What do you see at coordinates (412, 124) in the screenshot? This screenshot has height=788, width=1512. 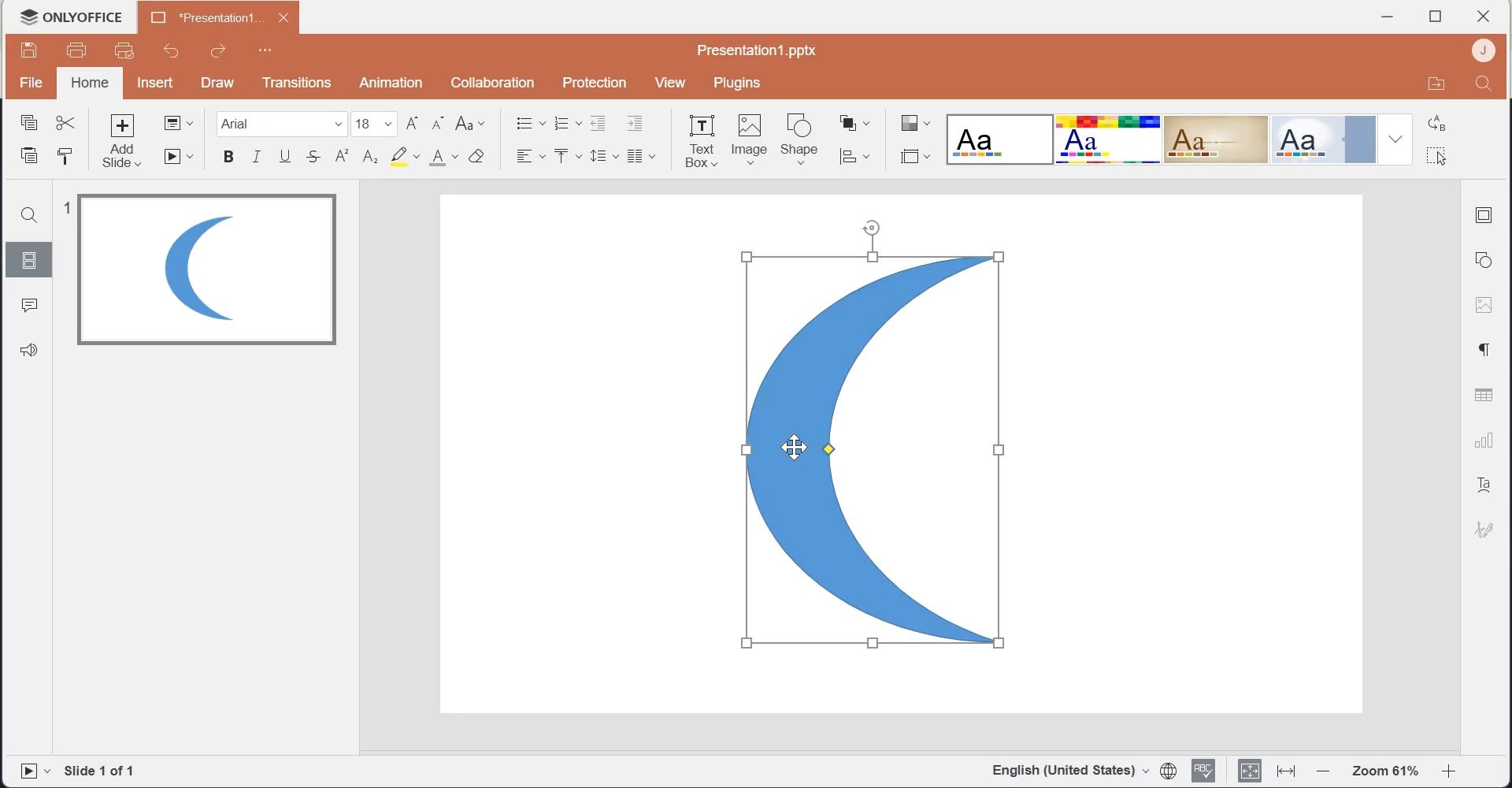 I see `Increment font size` at bounding box center [412, 124].